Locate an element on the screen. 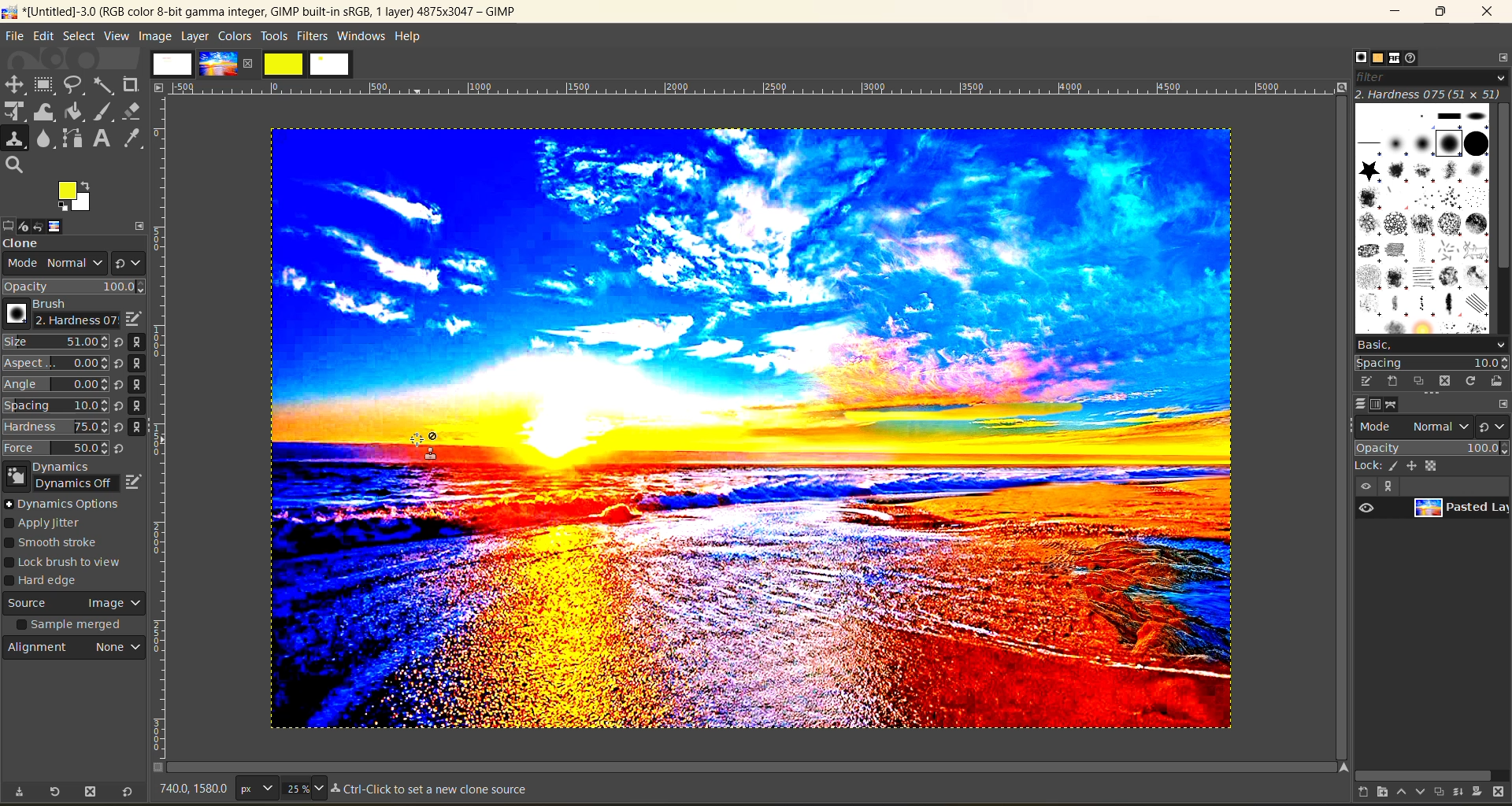 This screenshot has width=1512, height=806. device status is located at coordinates (28, 224).